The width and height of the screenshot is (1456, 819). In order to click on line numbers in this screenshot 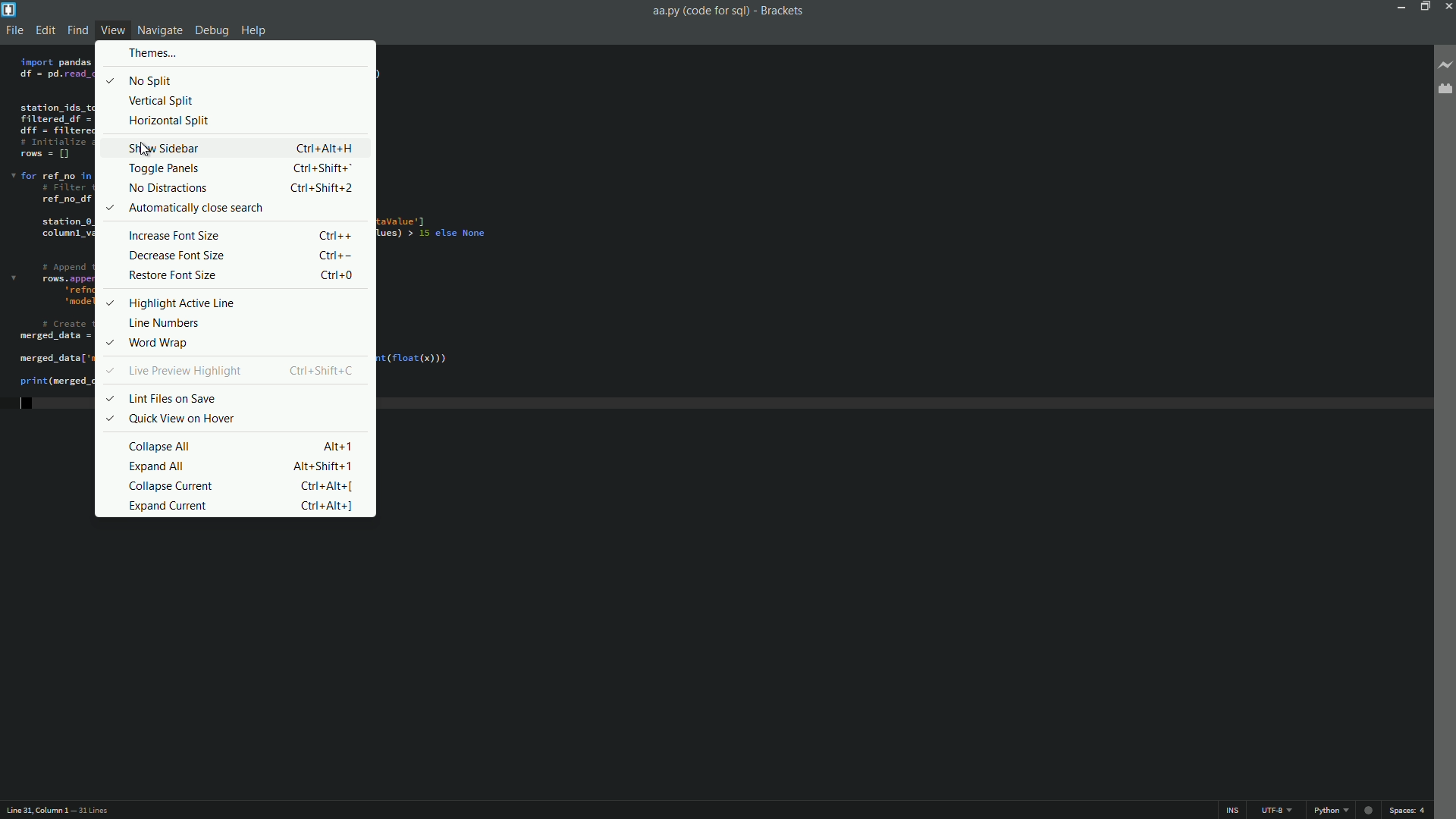, I will do `click(165, 323)`.